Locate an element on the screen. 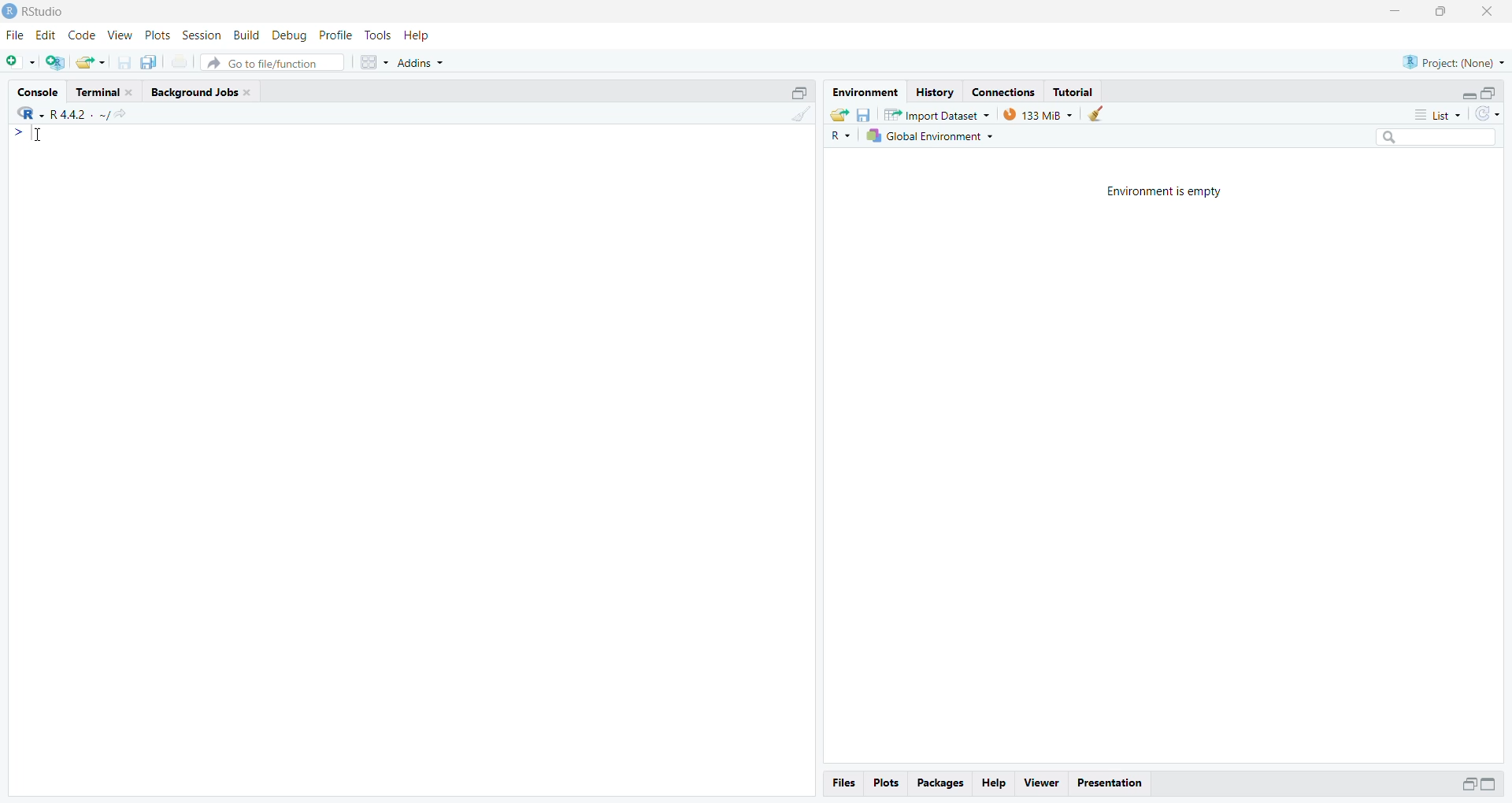 The height and width of the screenshot is (803, 1512). Help is located at coordinates (993, 784).